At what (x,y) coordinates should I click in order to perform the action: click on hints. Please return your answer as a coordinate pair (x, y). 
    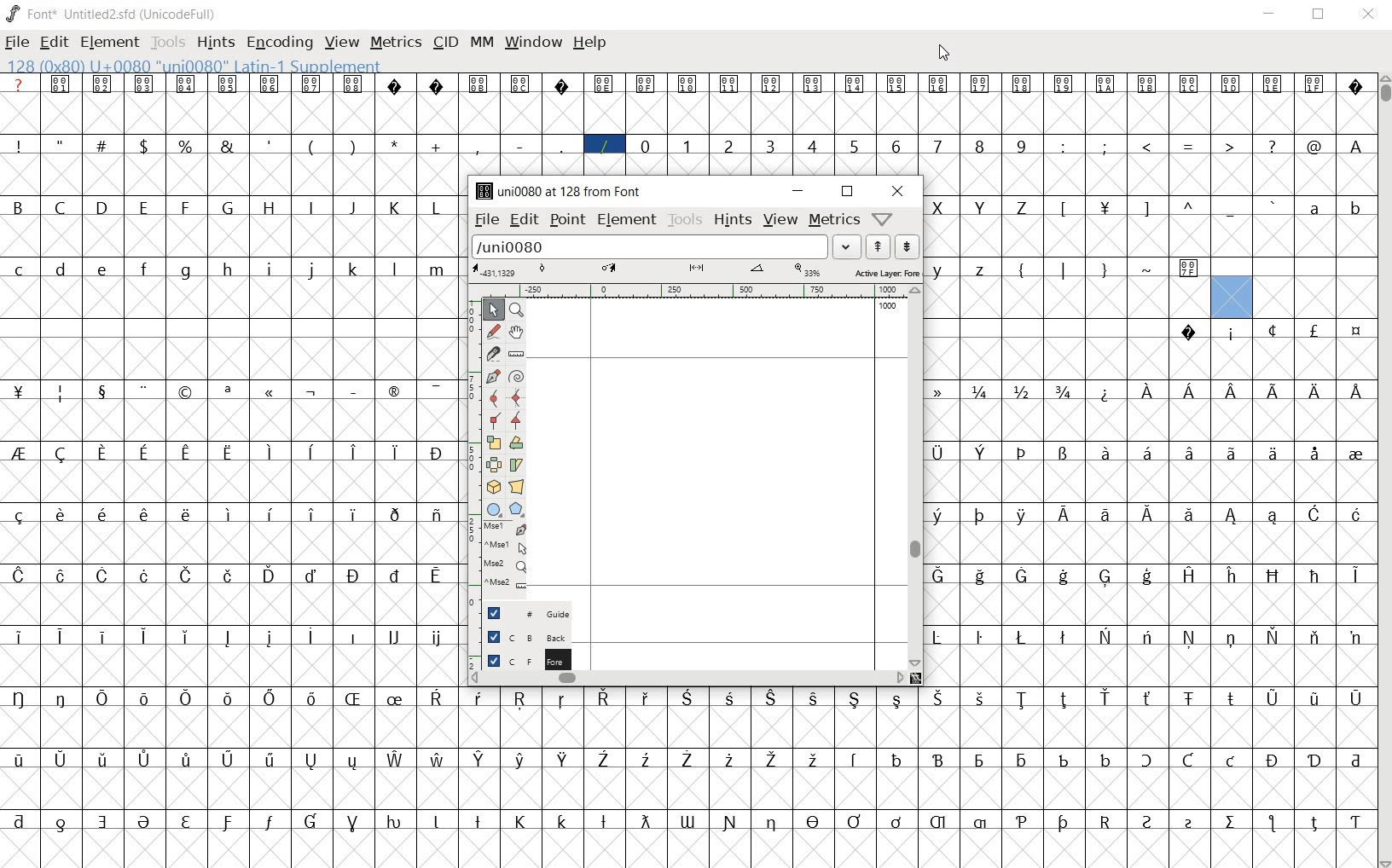
    Looking at the image, I should click on (730, 219).